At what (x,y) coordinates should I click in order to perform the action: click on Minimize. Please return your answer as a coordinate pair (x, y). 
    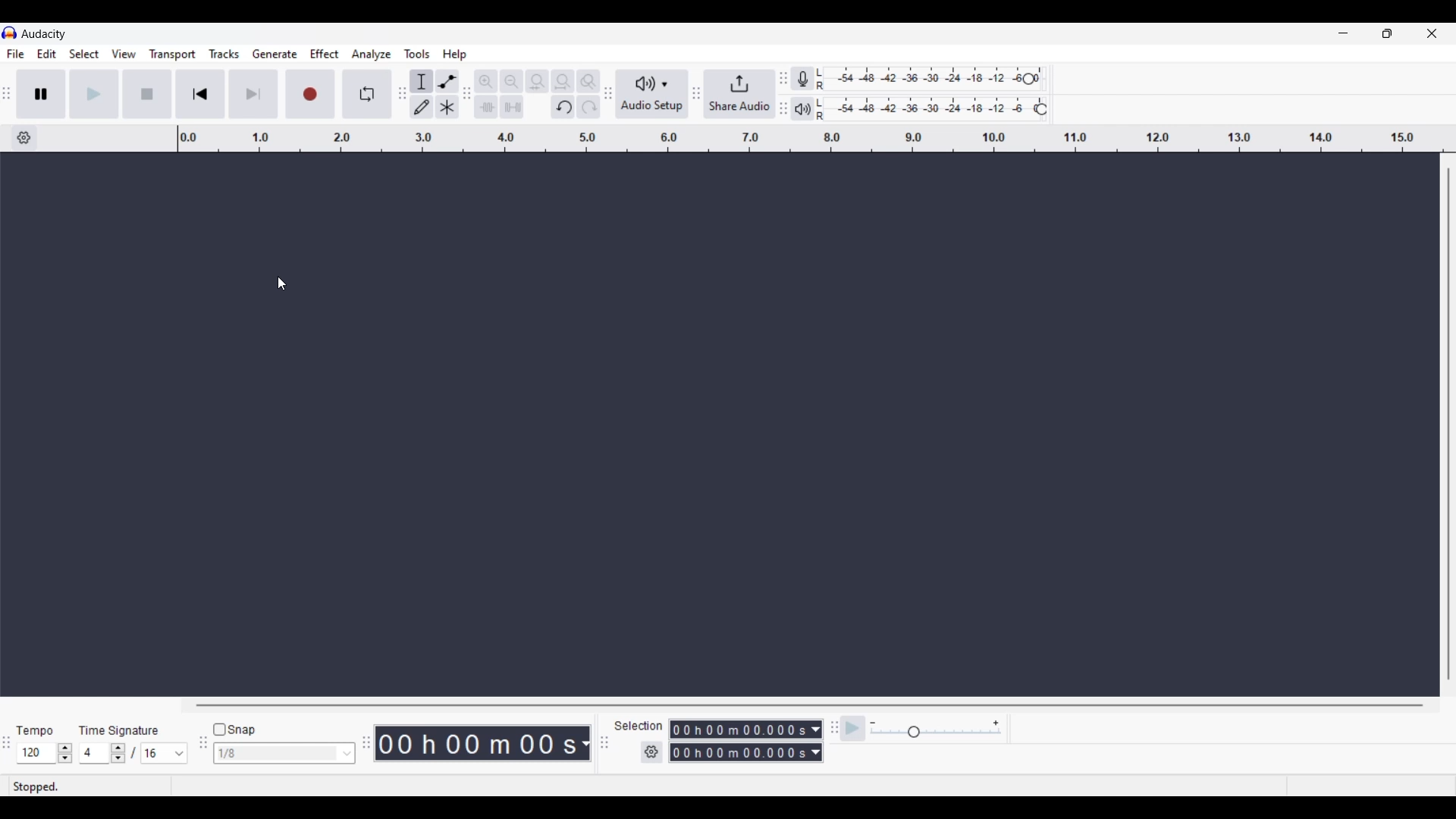
    Looking at the image, I should click on (1342, 34).